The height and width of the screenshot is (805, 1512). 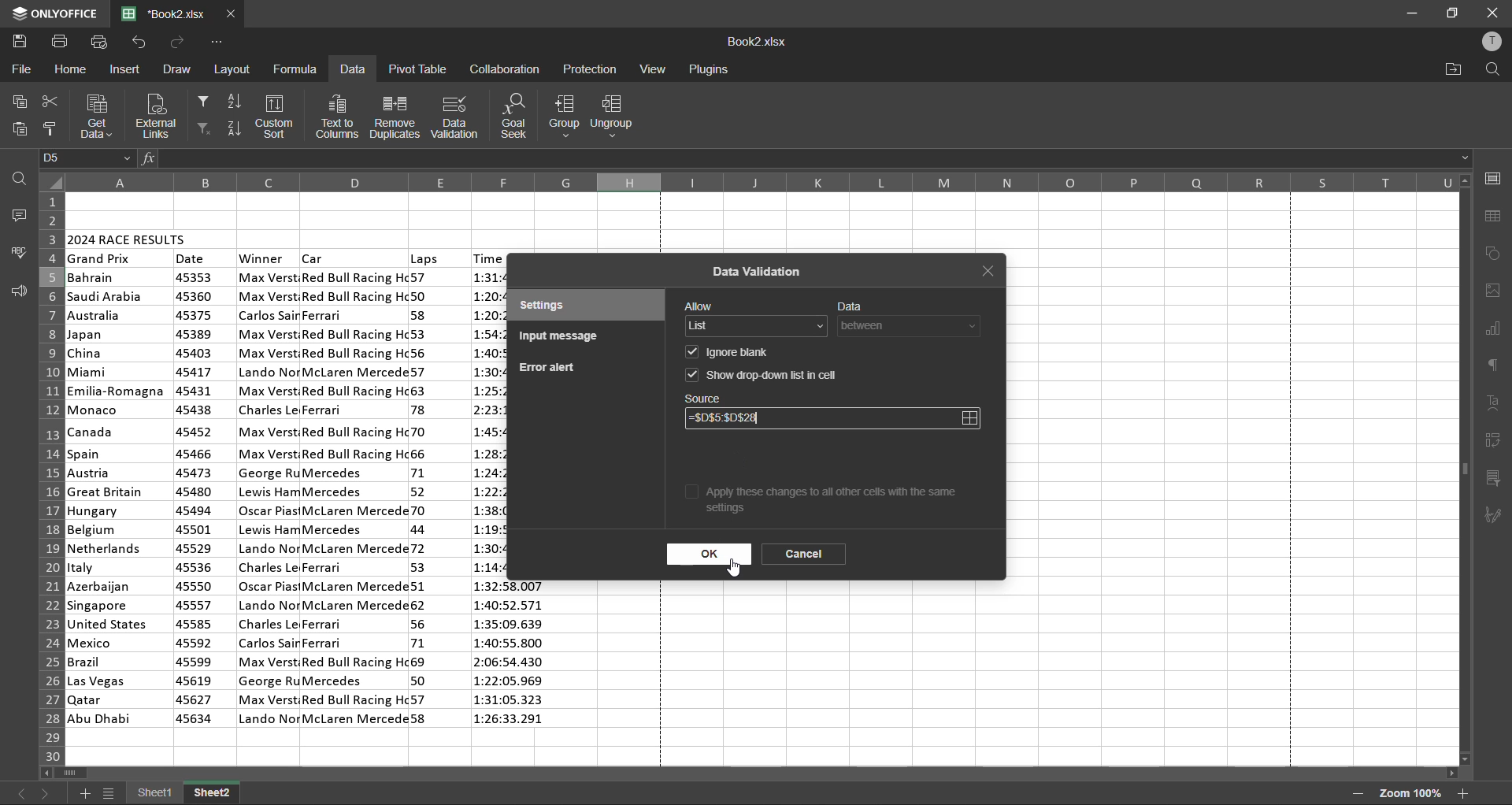 I want to click on print, so click(x=61, y=42).